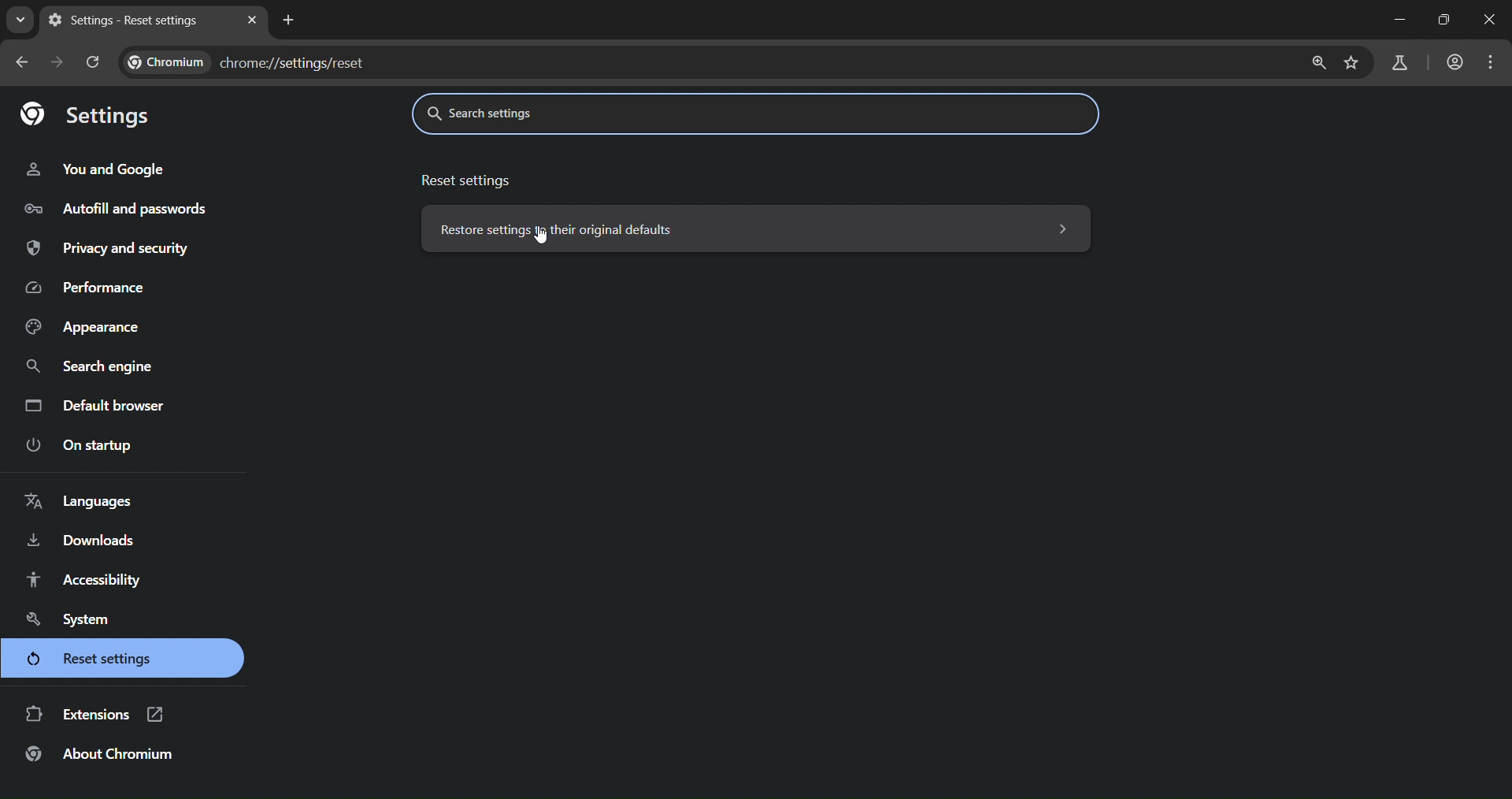  I want to click on languages, so click(82, 500).